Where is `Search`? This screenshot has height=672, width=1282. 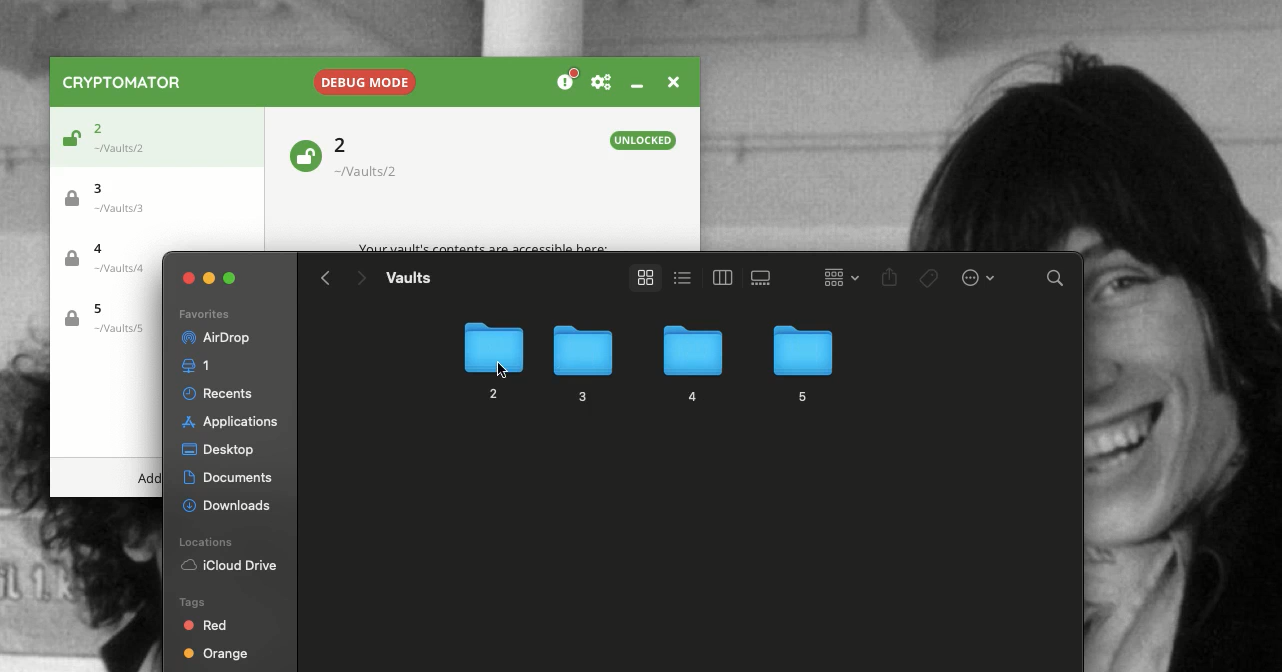 Search is located at coordinates (1056, 281).